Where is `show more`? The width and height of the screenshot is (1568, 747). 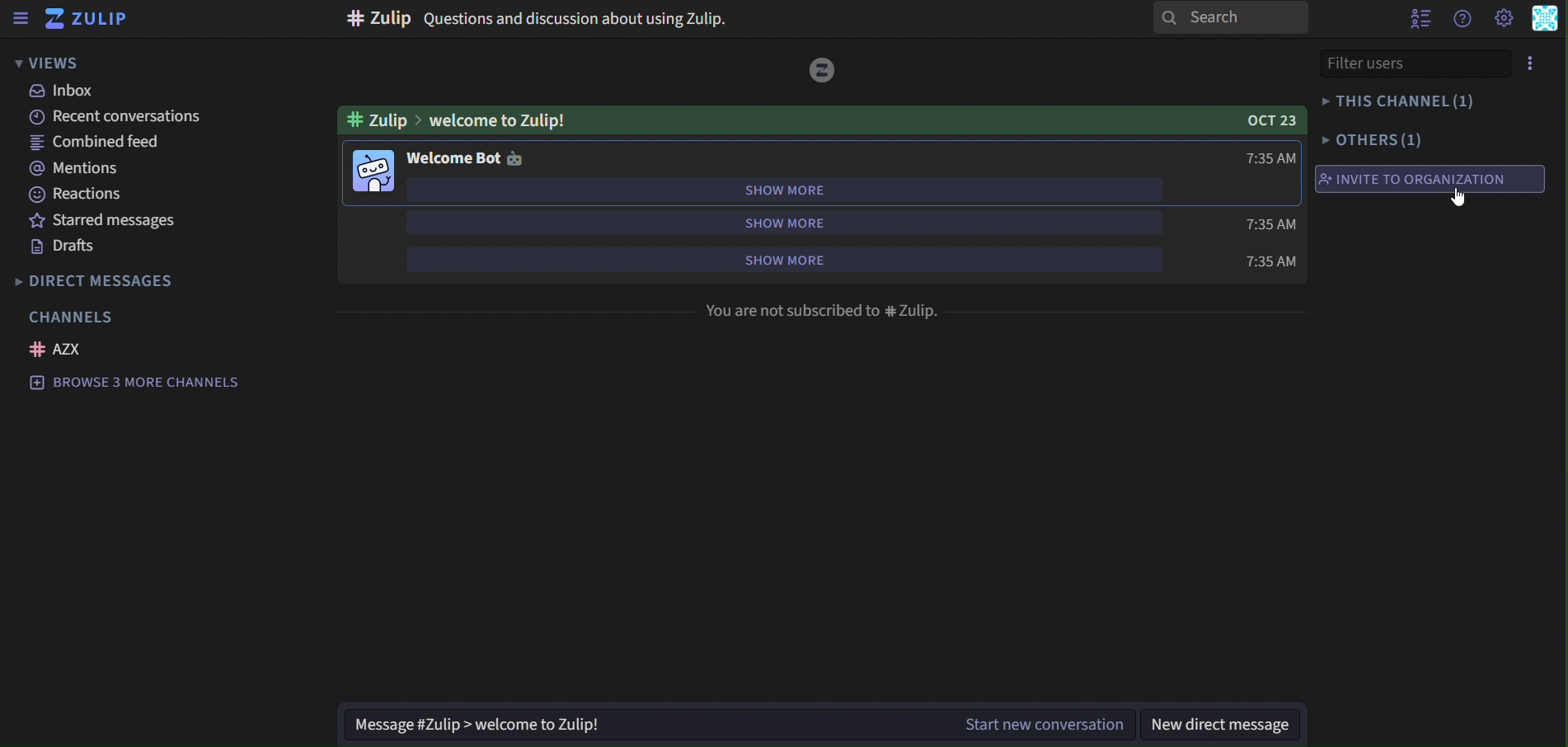 show more is located at coordinates (786, 222).